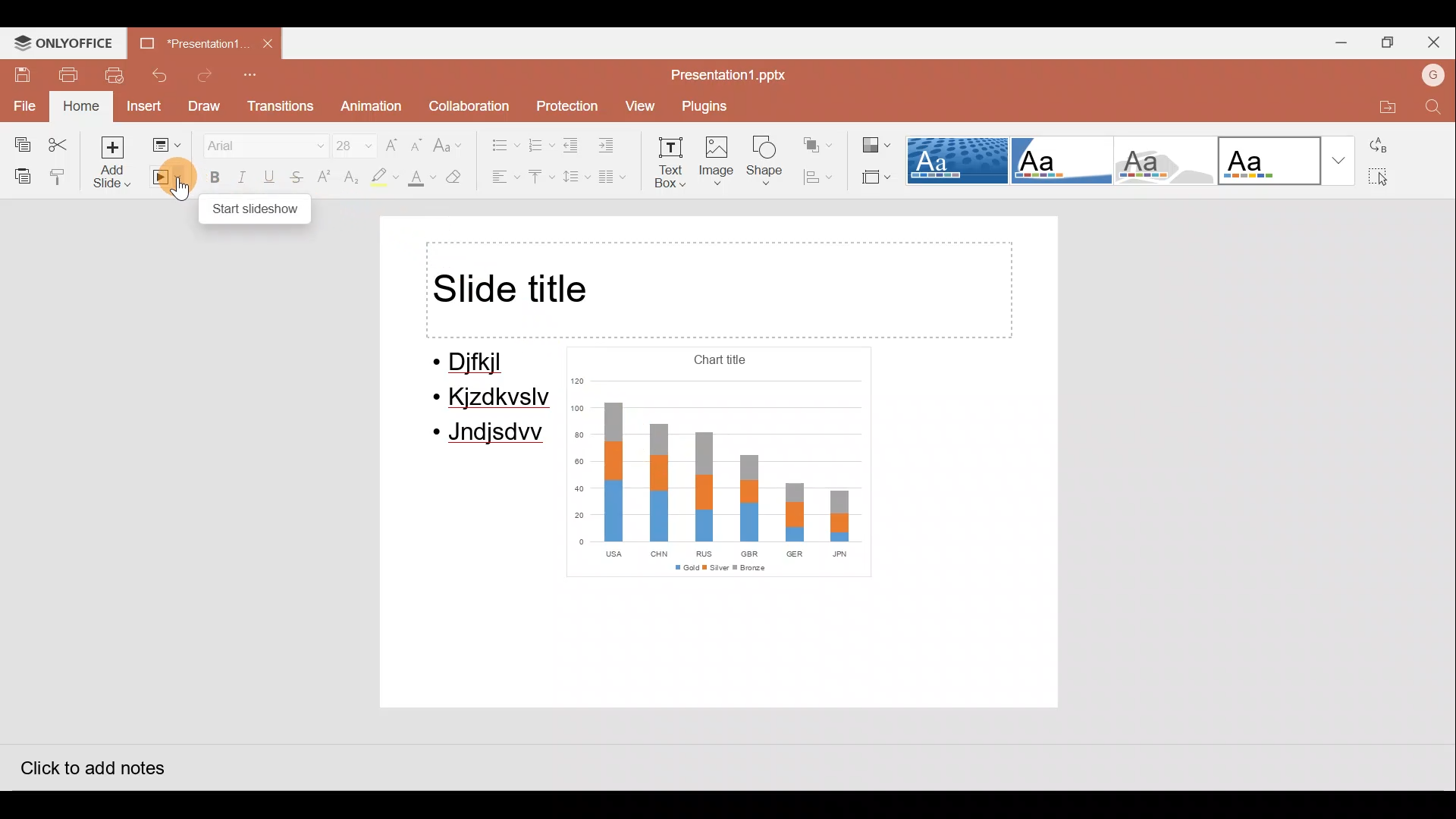 This screenshot has width=1456, height=819. What do you see at coordinates (505, 179) in the screenshot?
I see `Horizontal align` at bounding box center [505, 179].